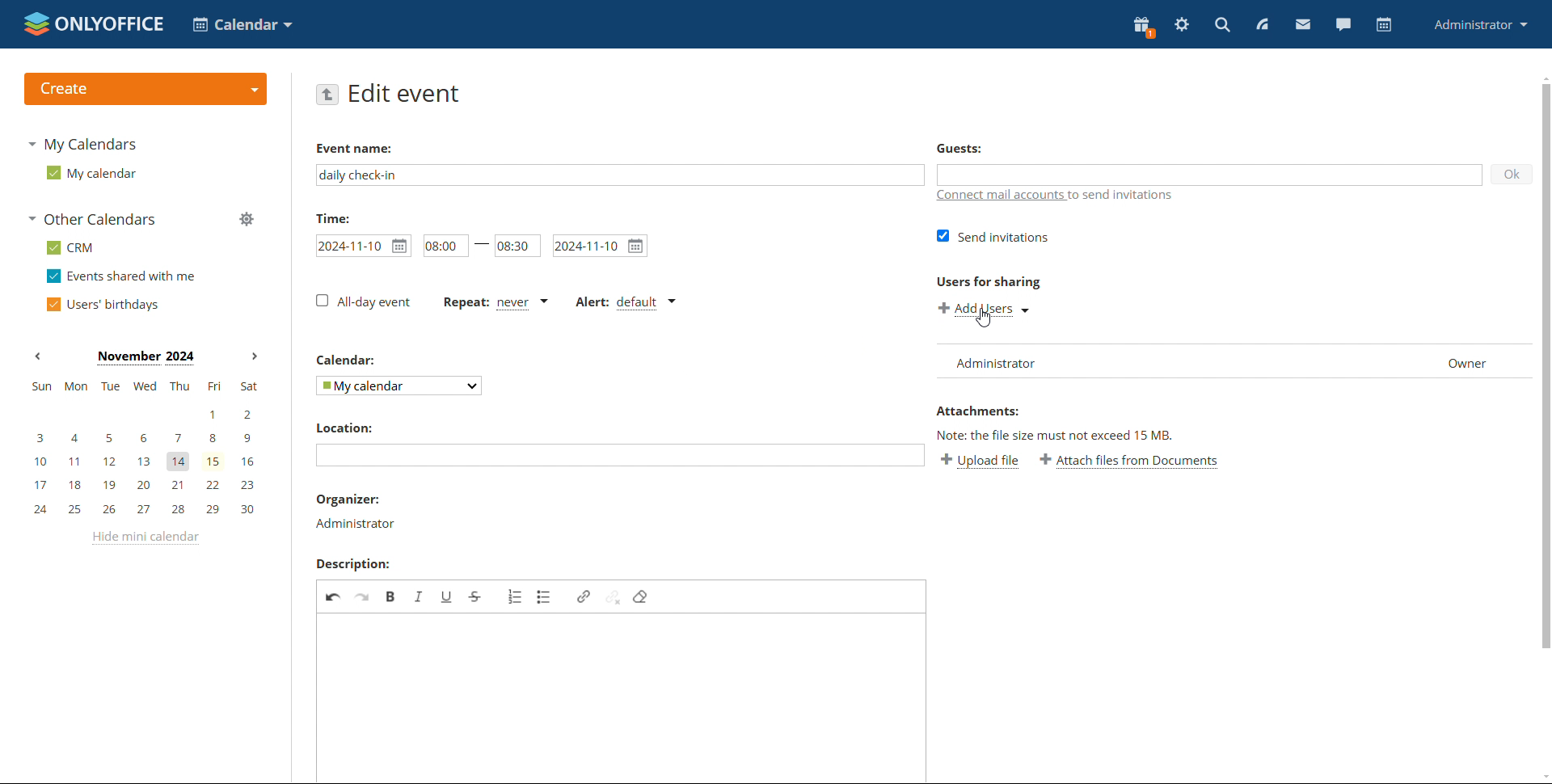 The width and height of the screenshot is (1552, 784). What do you see at coordinates (81, 144) in the screenshot?
I see `my calendars` at bounding box center [81, 144].